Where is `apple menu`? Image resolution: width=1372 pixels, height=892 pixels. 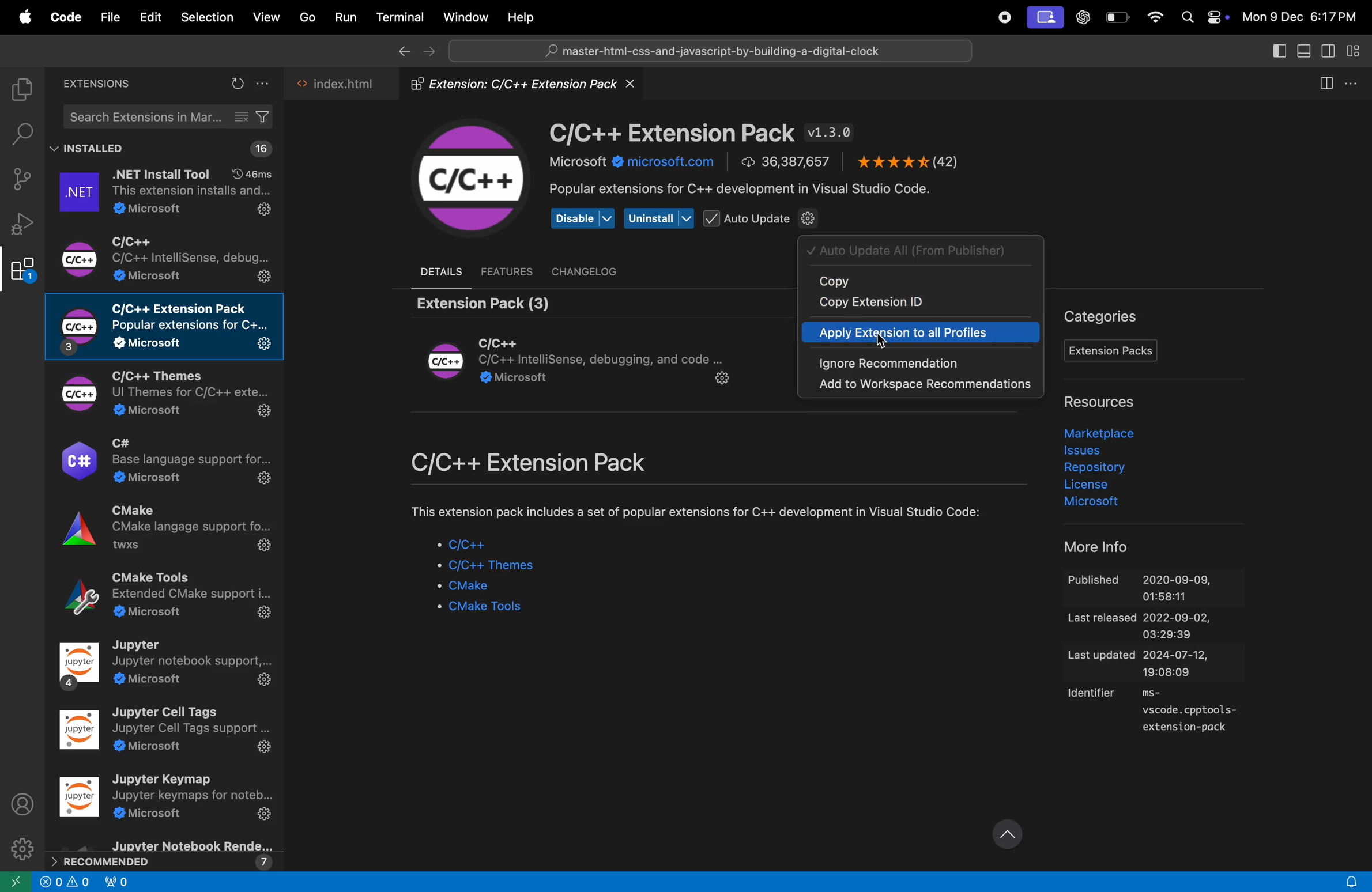 apple menu is located at coordinates (22, 14).